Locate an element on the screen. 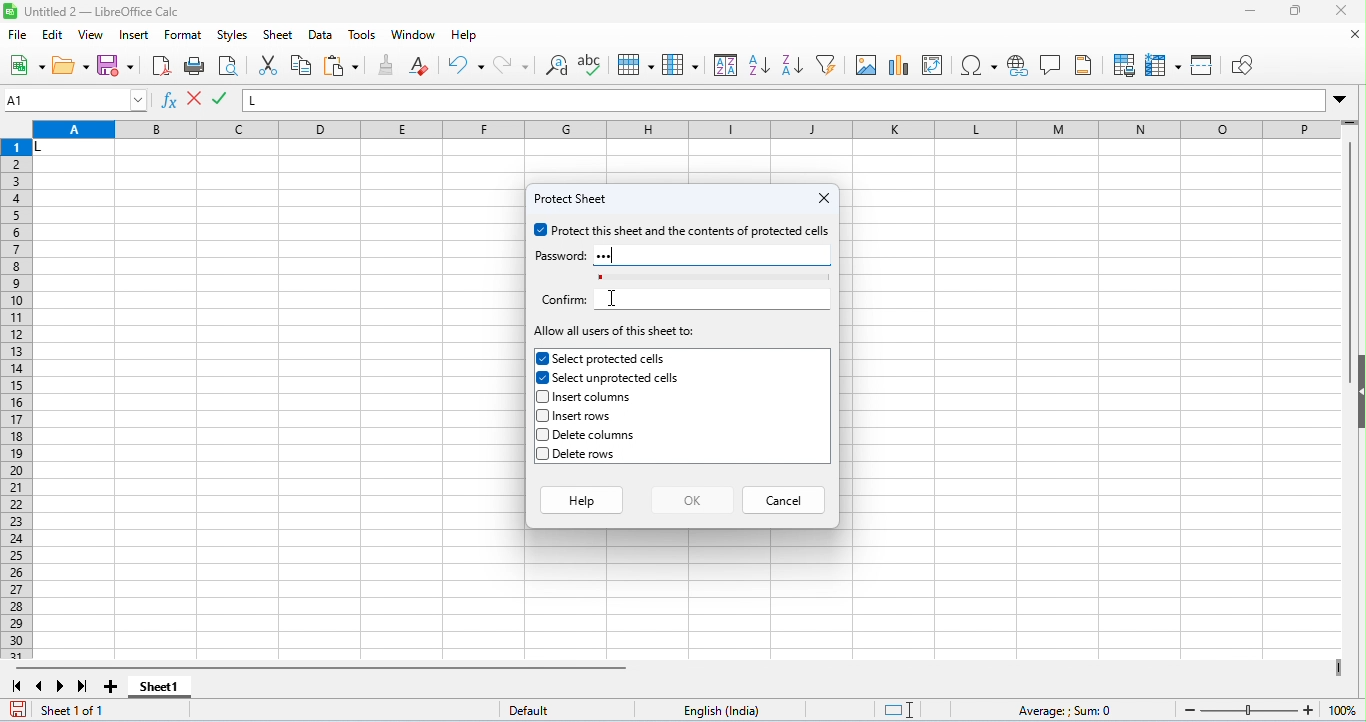 This screenshot has width=1366, height=722. export pdf is located at coordinates (161, 65).